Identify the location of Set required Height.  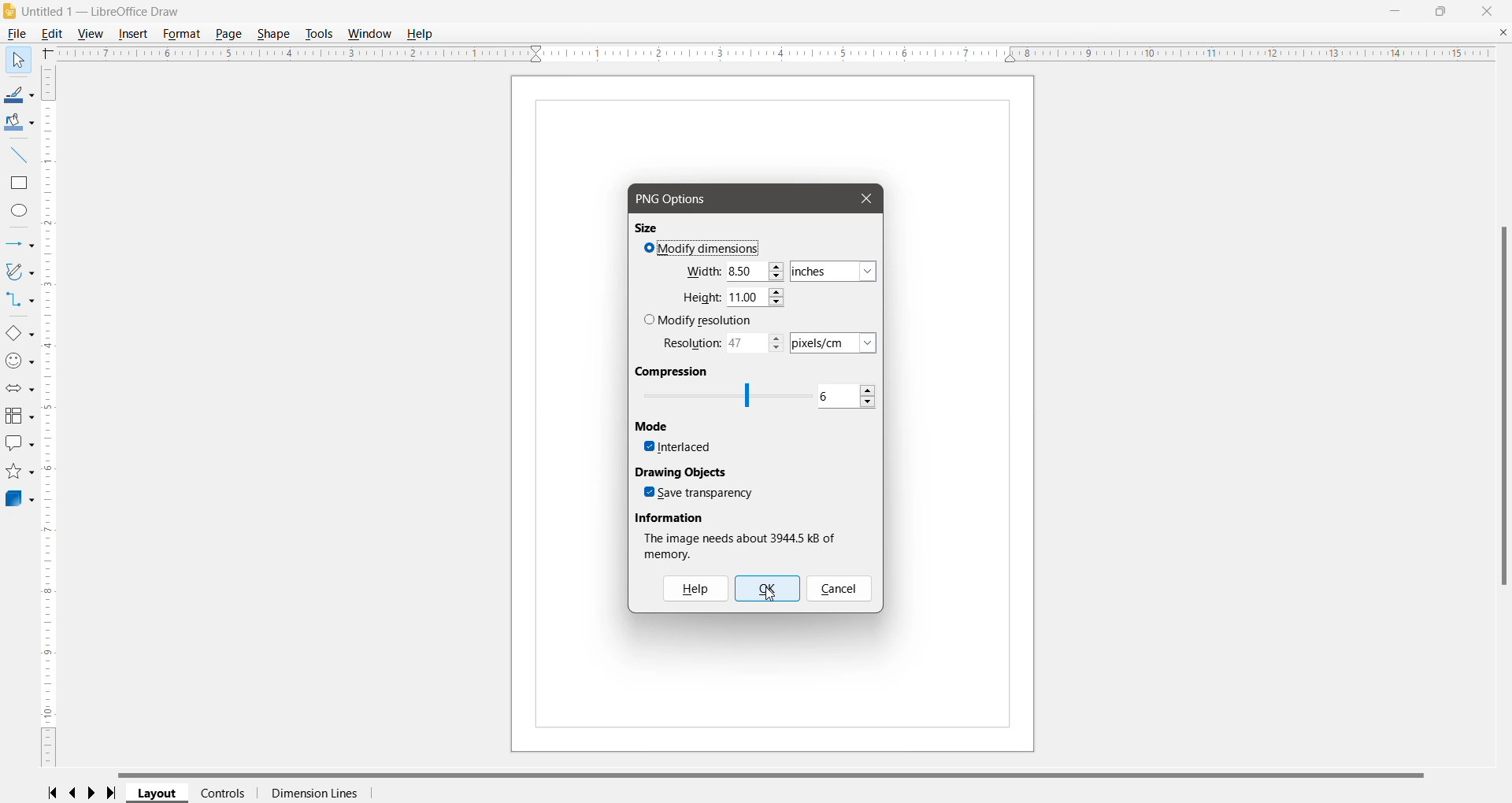
(733, 297).